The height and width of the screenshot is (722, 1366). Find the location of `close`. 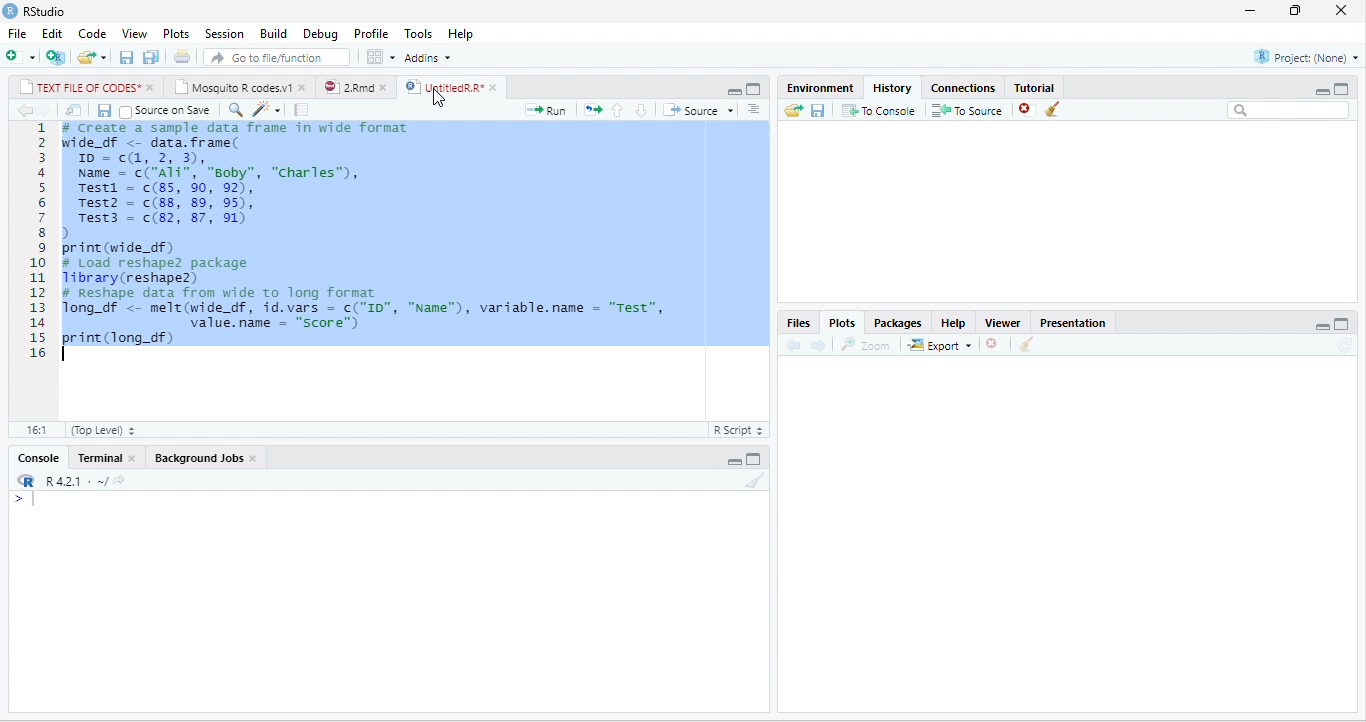

close is located at coordinates (304, 86).